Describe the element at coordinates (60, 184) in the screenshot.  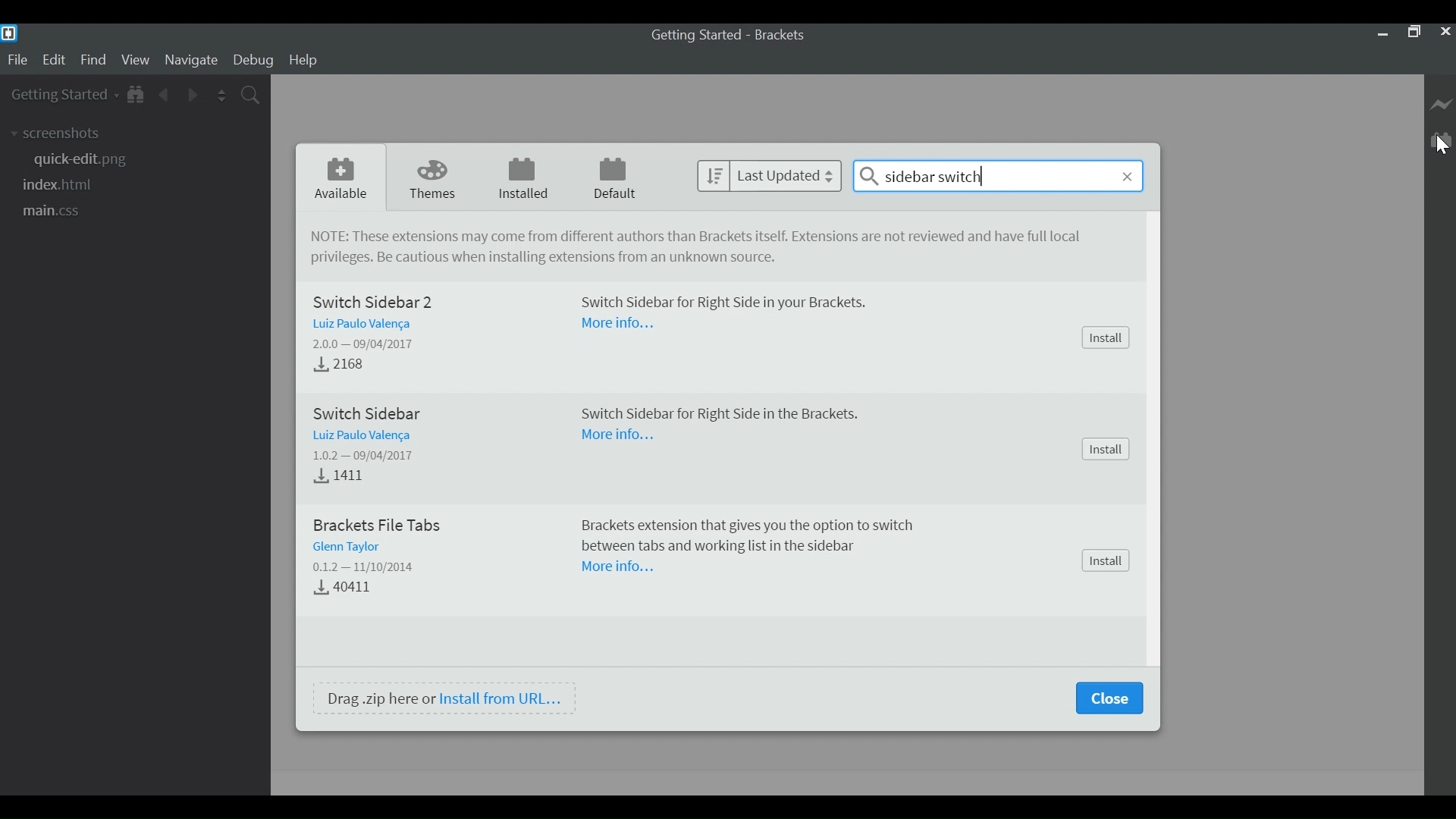
I see `index.html` at that location.